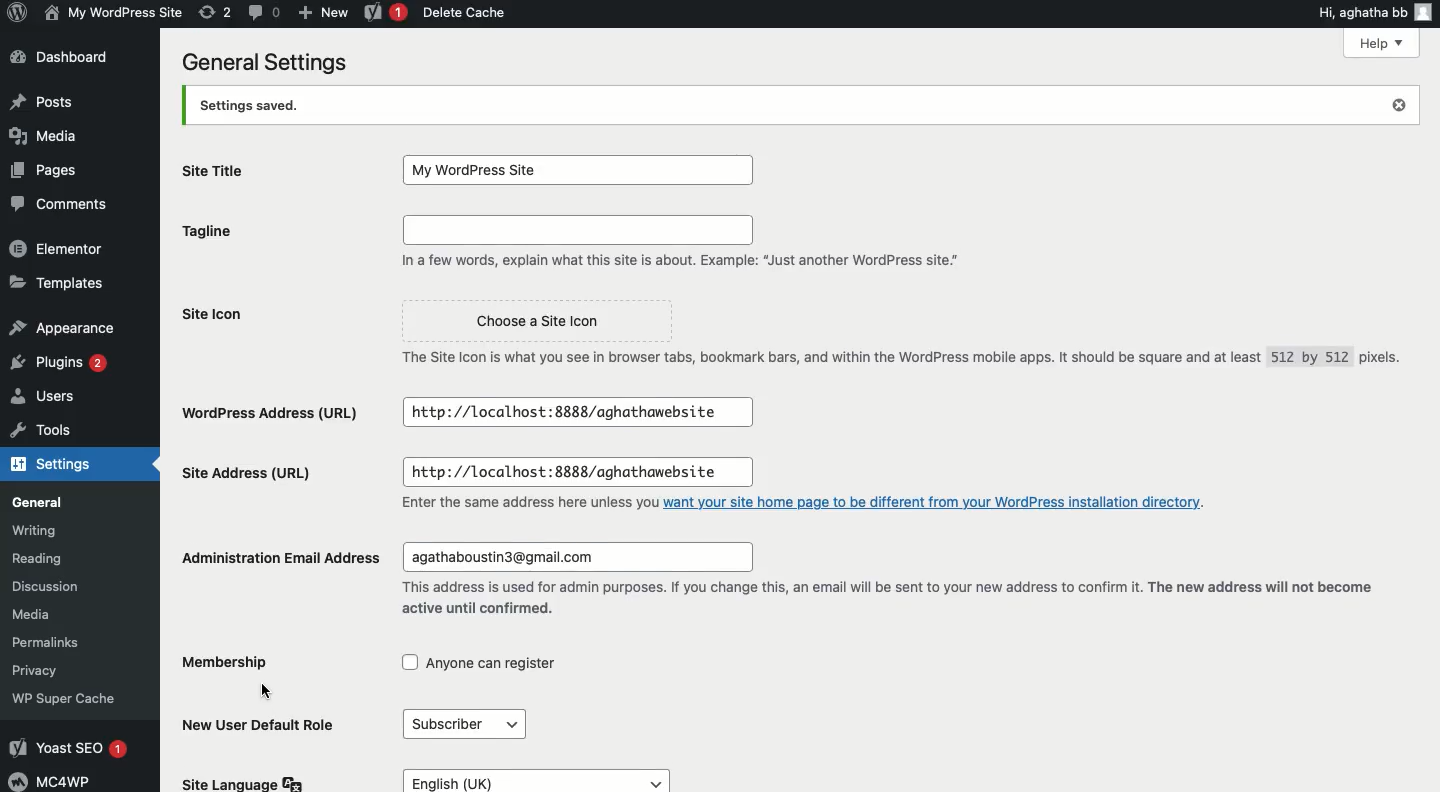 Image resolution: width=1440 pixels, height=792 pixels. What do you see at coordinates (529, 504) in the screenshot?
I see `Enter the same address here unless you` at bounding box center [529, 504].